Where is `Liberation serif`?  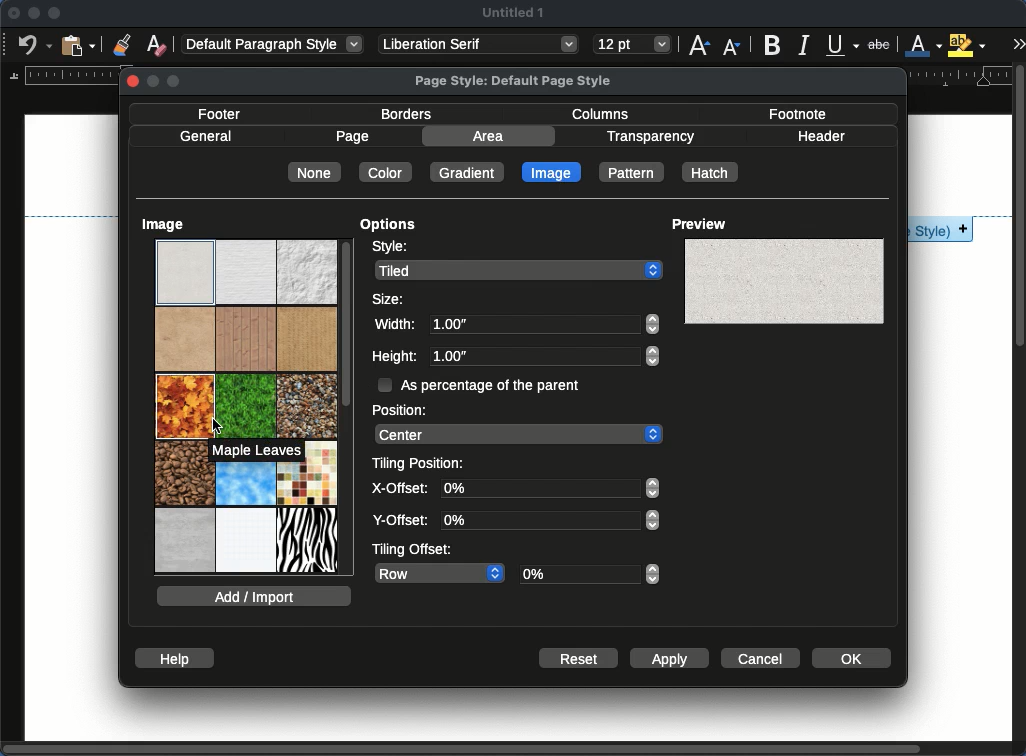 Liberation serif is located at coordinates (480, 45).